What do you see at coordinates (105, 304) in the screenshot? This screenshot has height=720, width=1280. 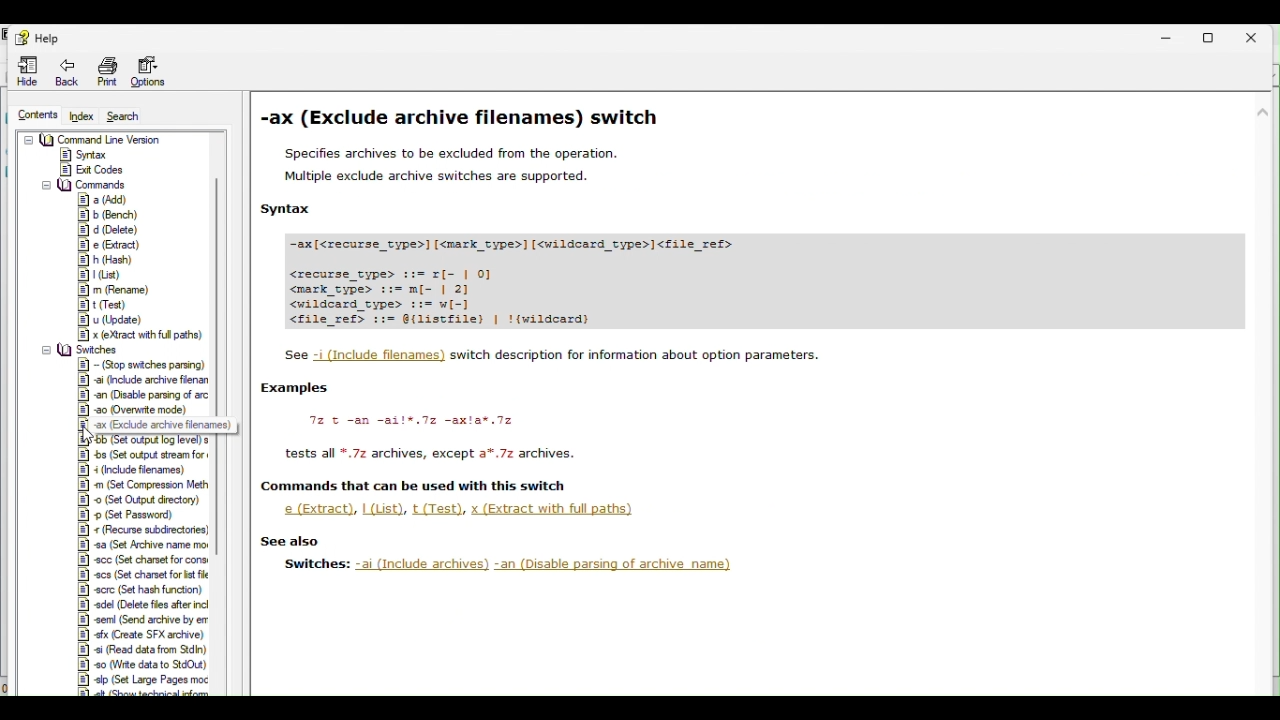 I see `8] t (Test)` at bounding box center [105, 304].